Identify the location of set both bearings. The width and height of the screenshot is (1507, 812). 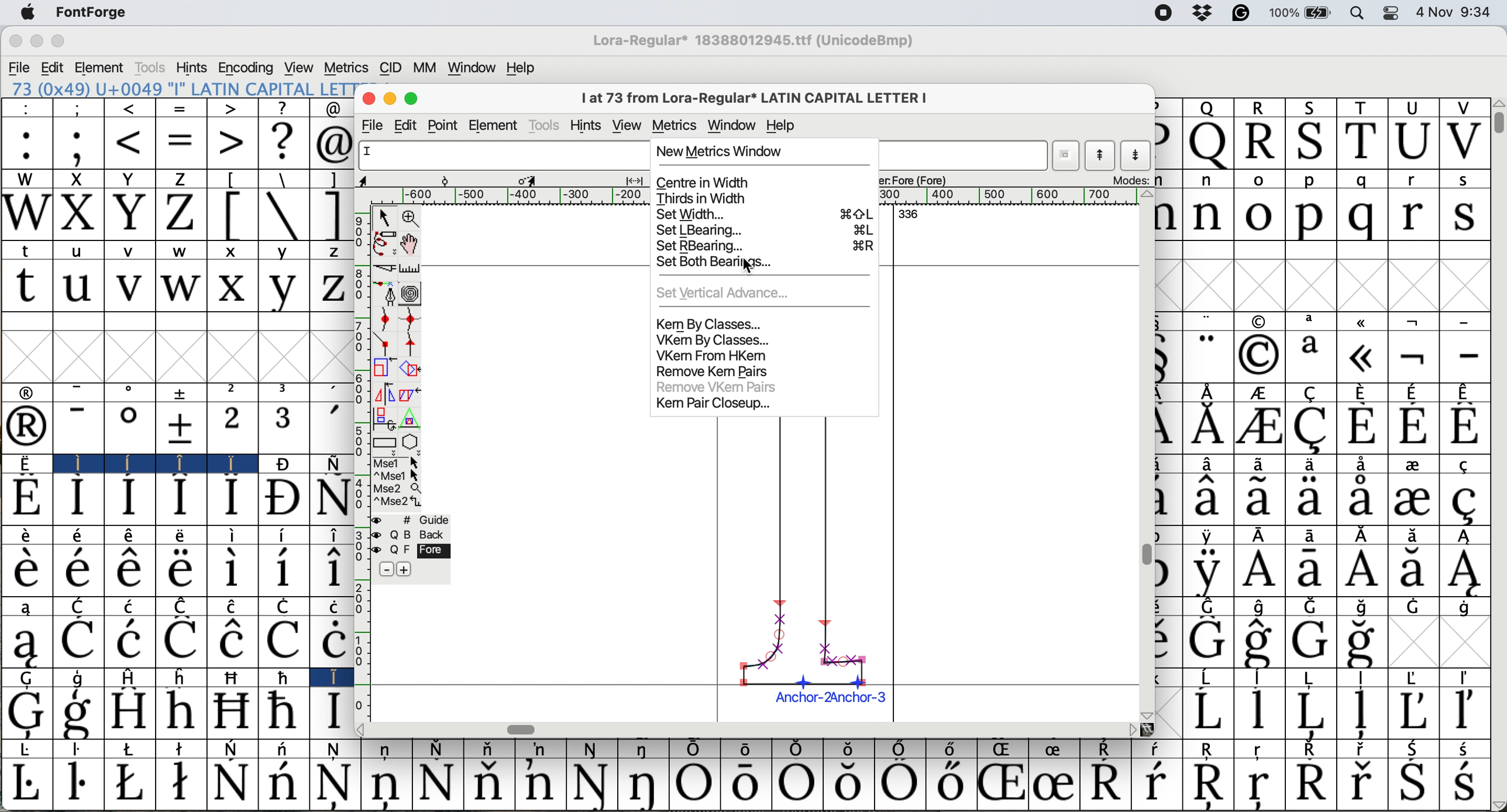
(709, 264).